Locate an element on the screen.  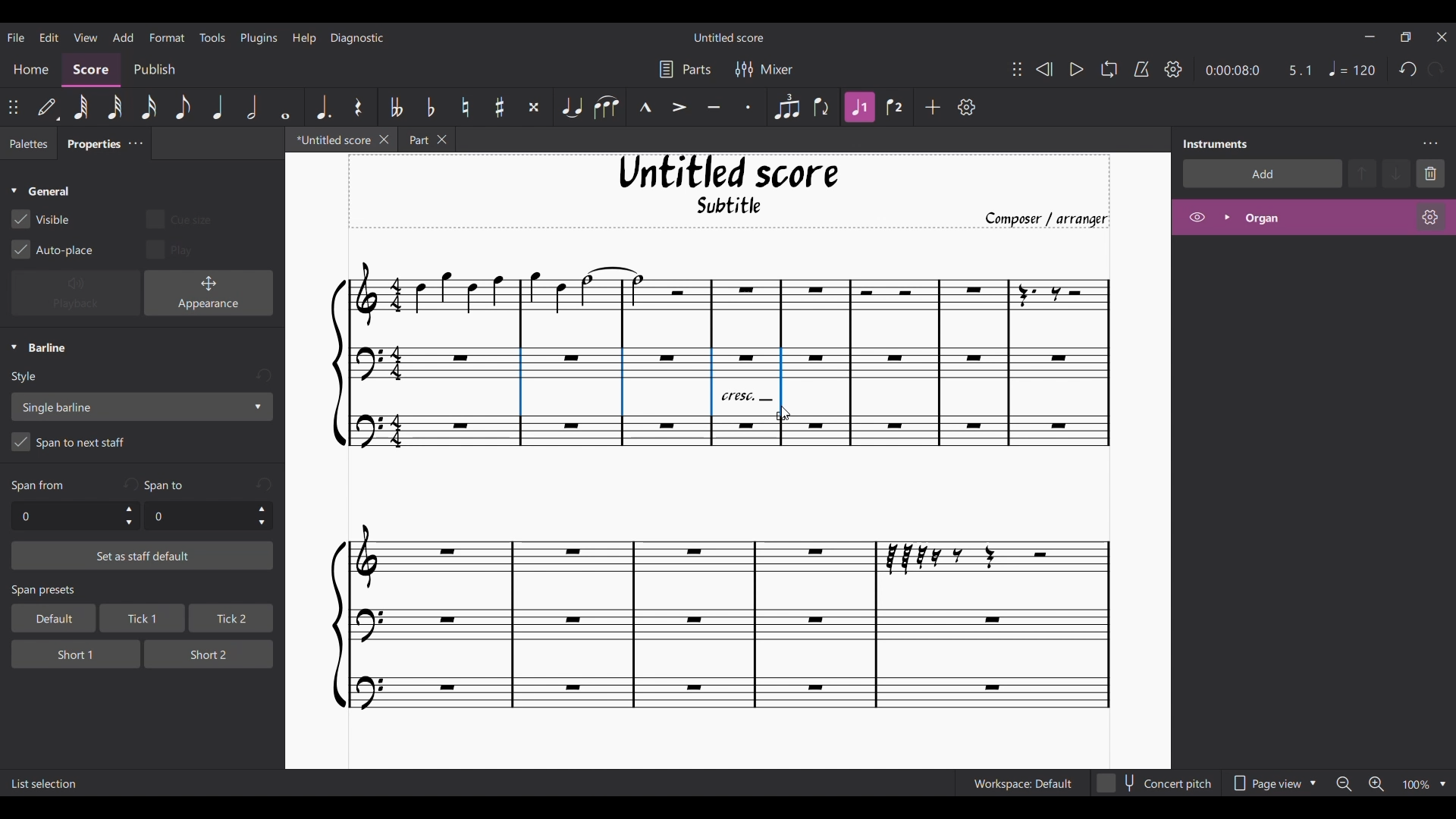
Toggle for Auto-place is located at coordinates (53, 249).